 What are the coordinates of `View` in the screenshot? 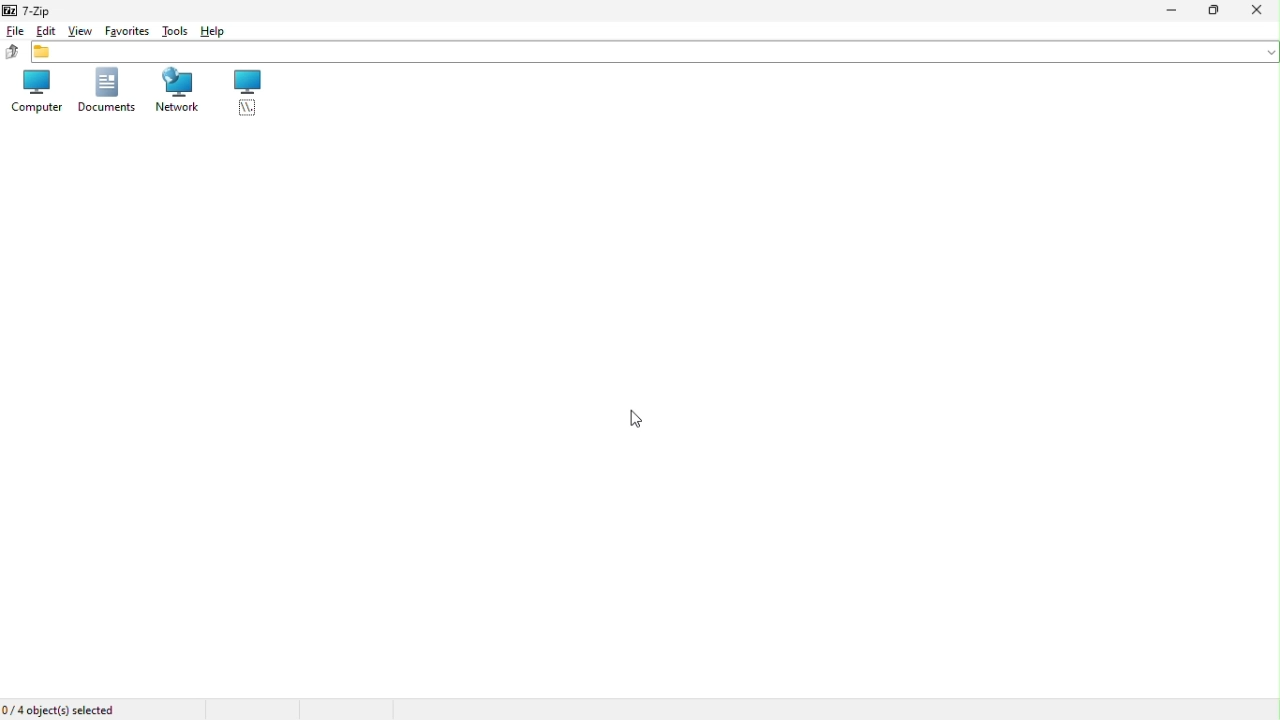 It's located at (79, 31).